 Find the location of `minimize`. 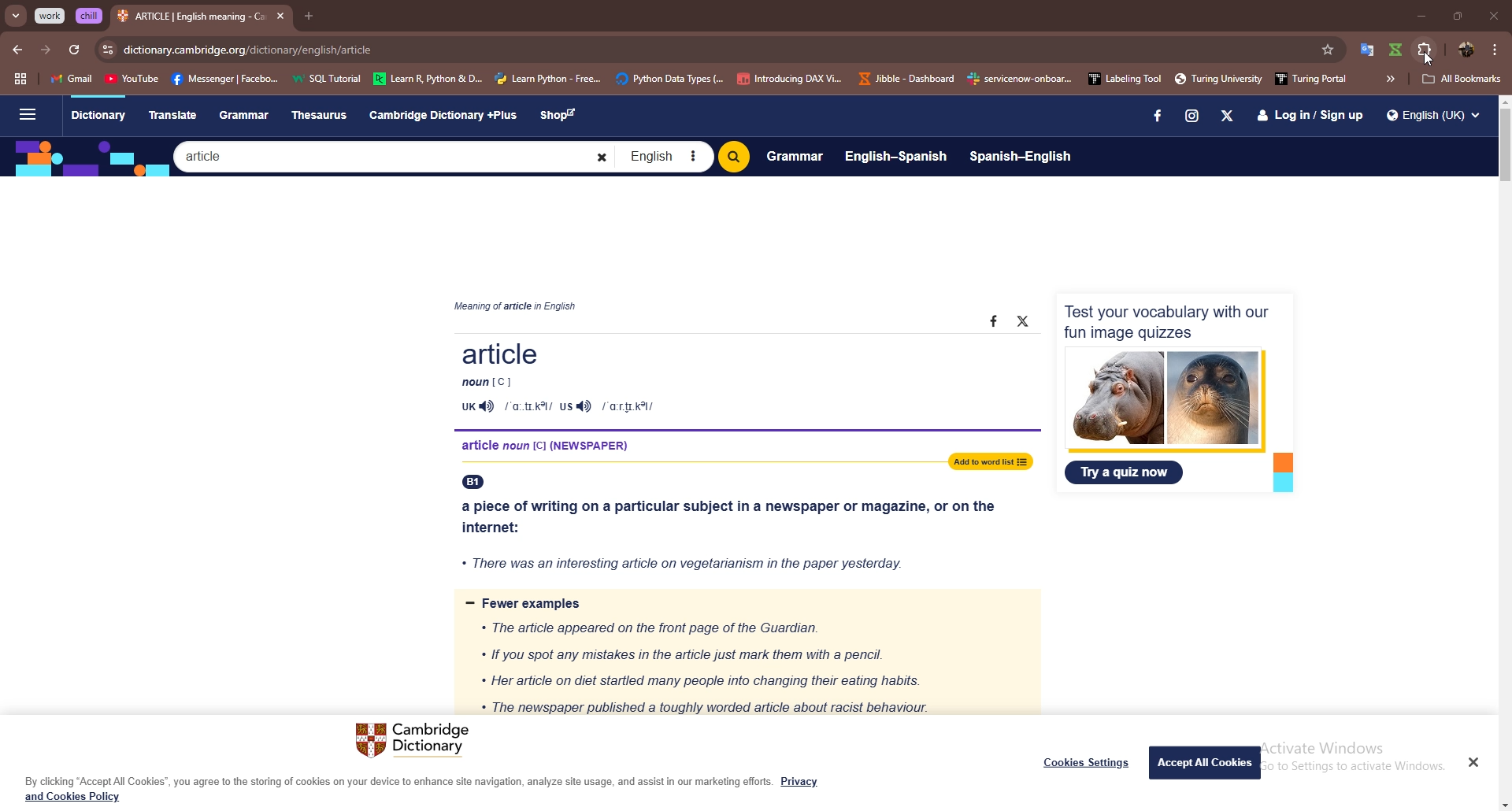

minimize is located at coordinates (1421, 15).